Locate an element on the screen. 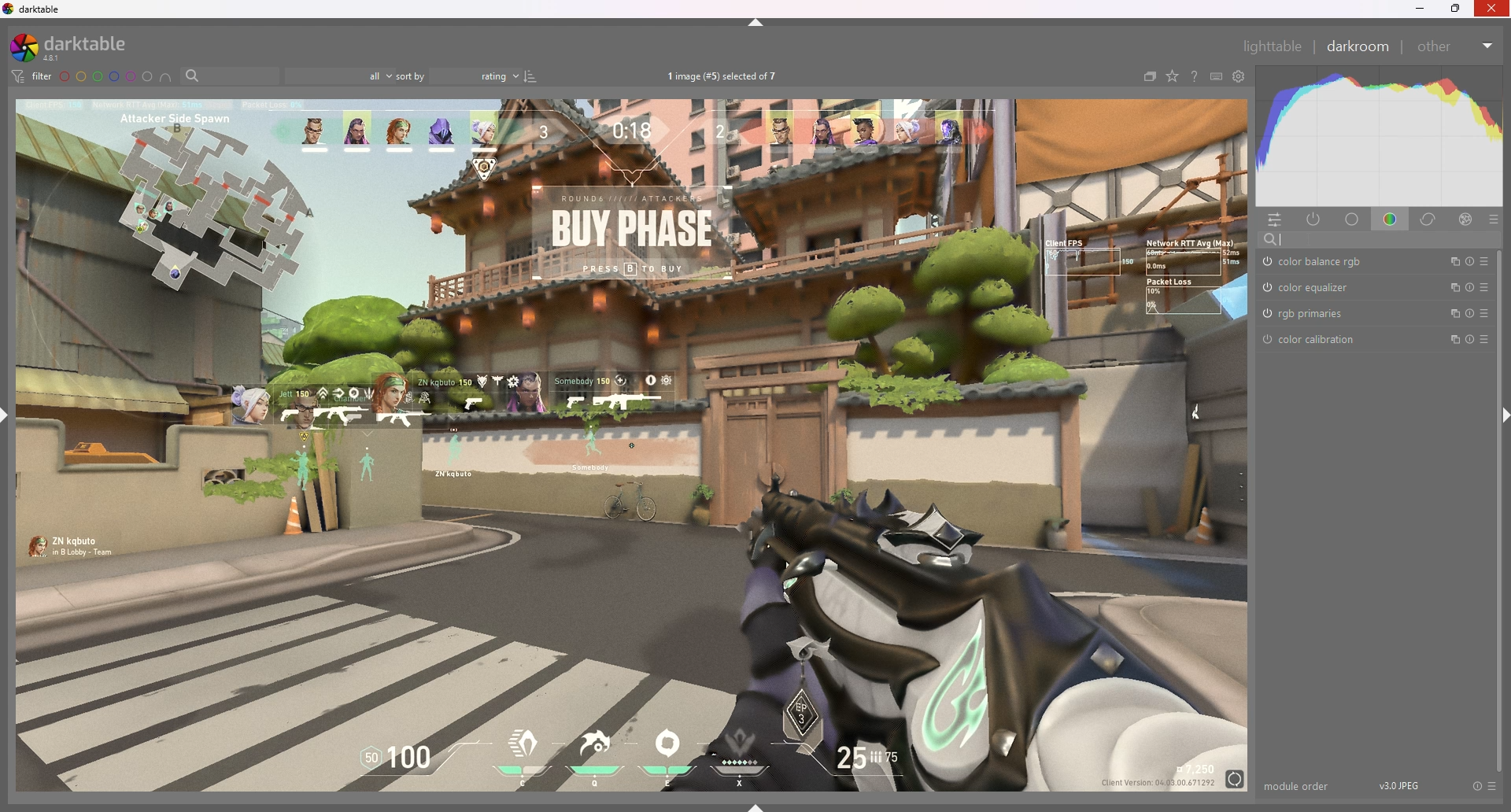 The image size is (1511, 812). filter is located at coordinates (33, 76).